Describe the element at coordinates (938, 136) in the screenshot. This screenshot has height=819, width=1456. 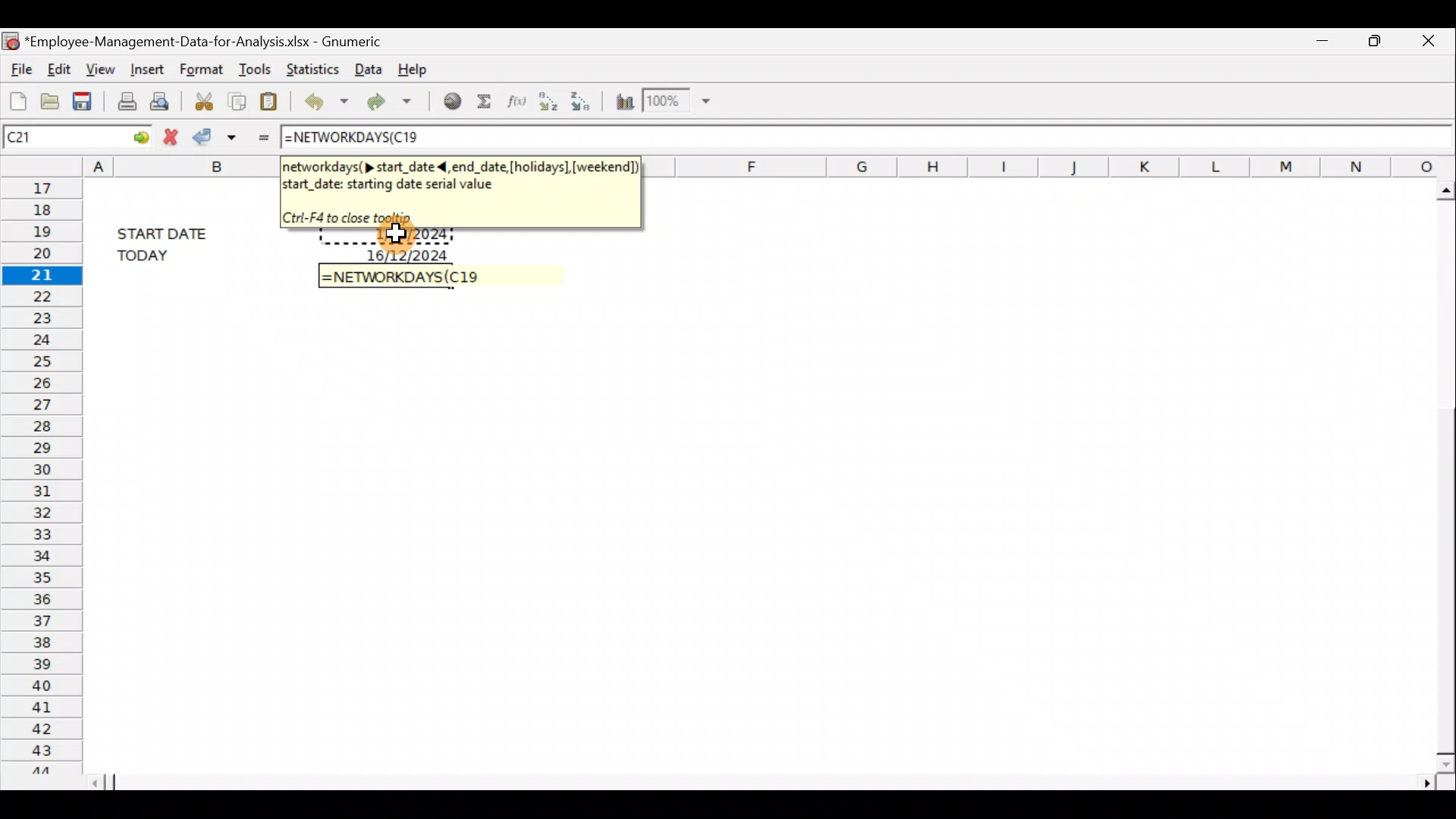
I see `Formula bar` at that location.